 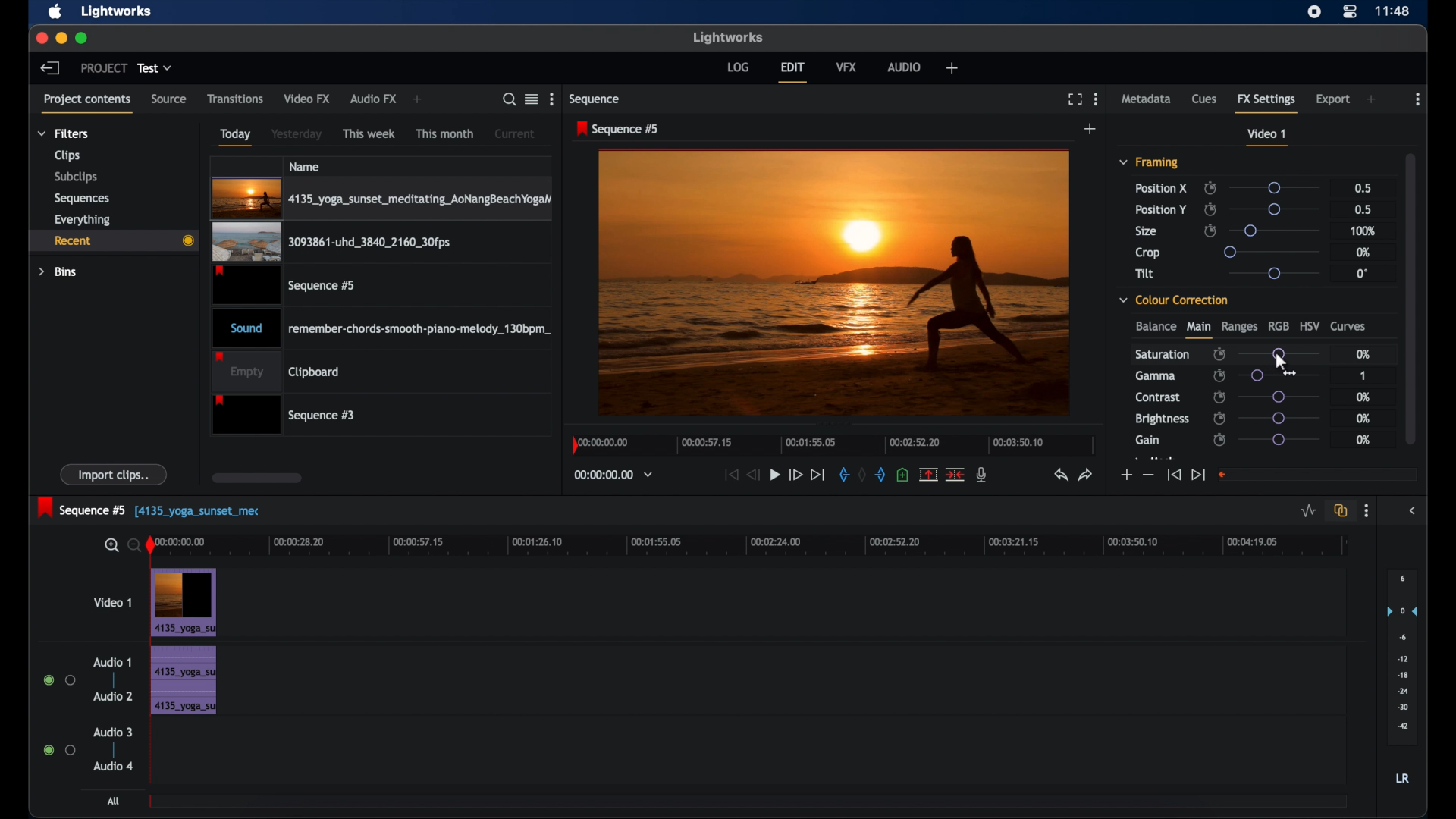 I want to click on slider, so click(x=1274, y=273).